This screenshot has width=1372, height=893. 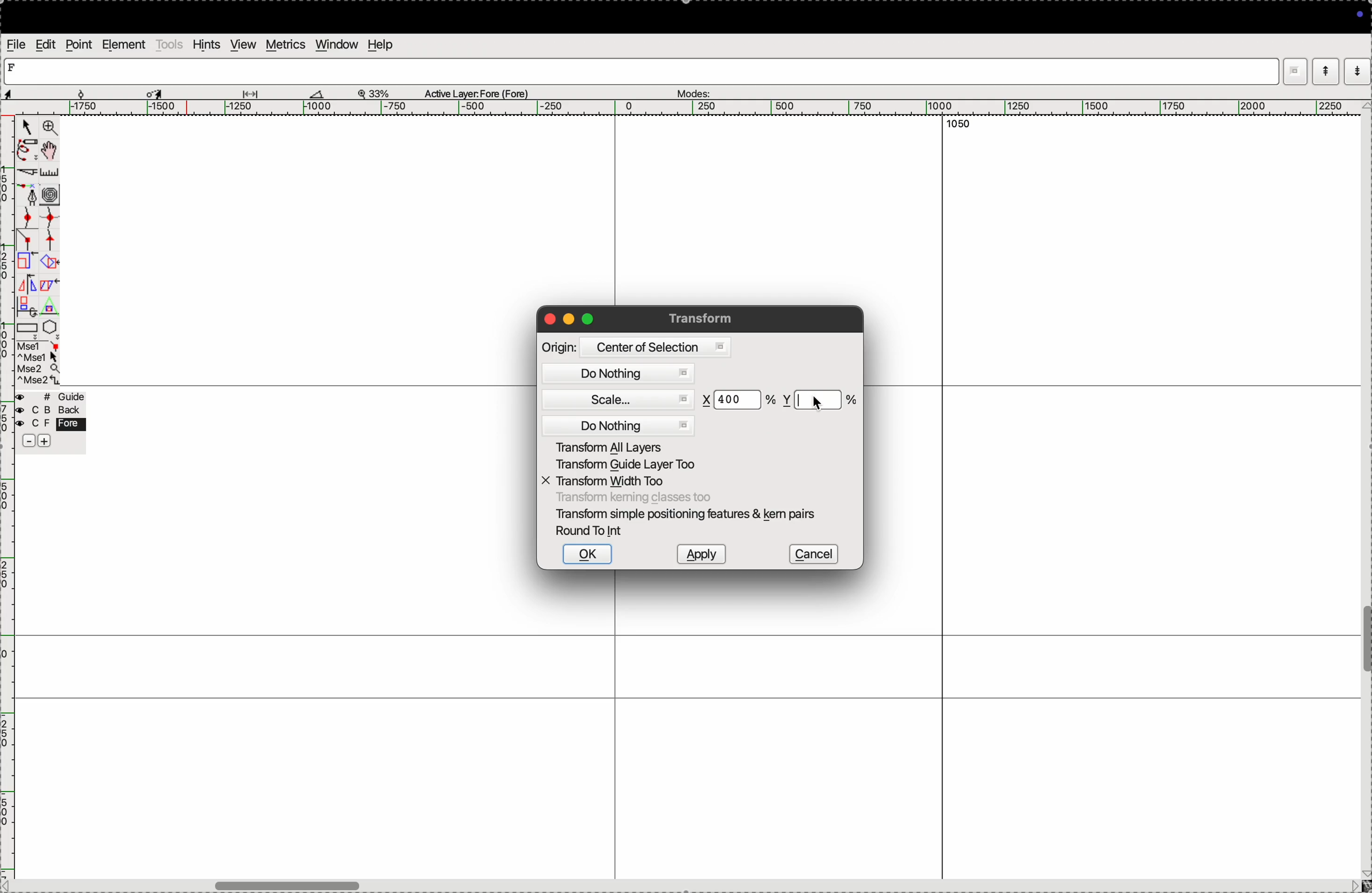 What do you see at coordinates (28, 241) in the screenshot?
I see `line` at bounding box center [28, 241].